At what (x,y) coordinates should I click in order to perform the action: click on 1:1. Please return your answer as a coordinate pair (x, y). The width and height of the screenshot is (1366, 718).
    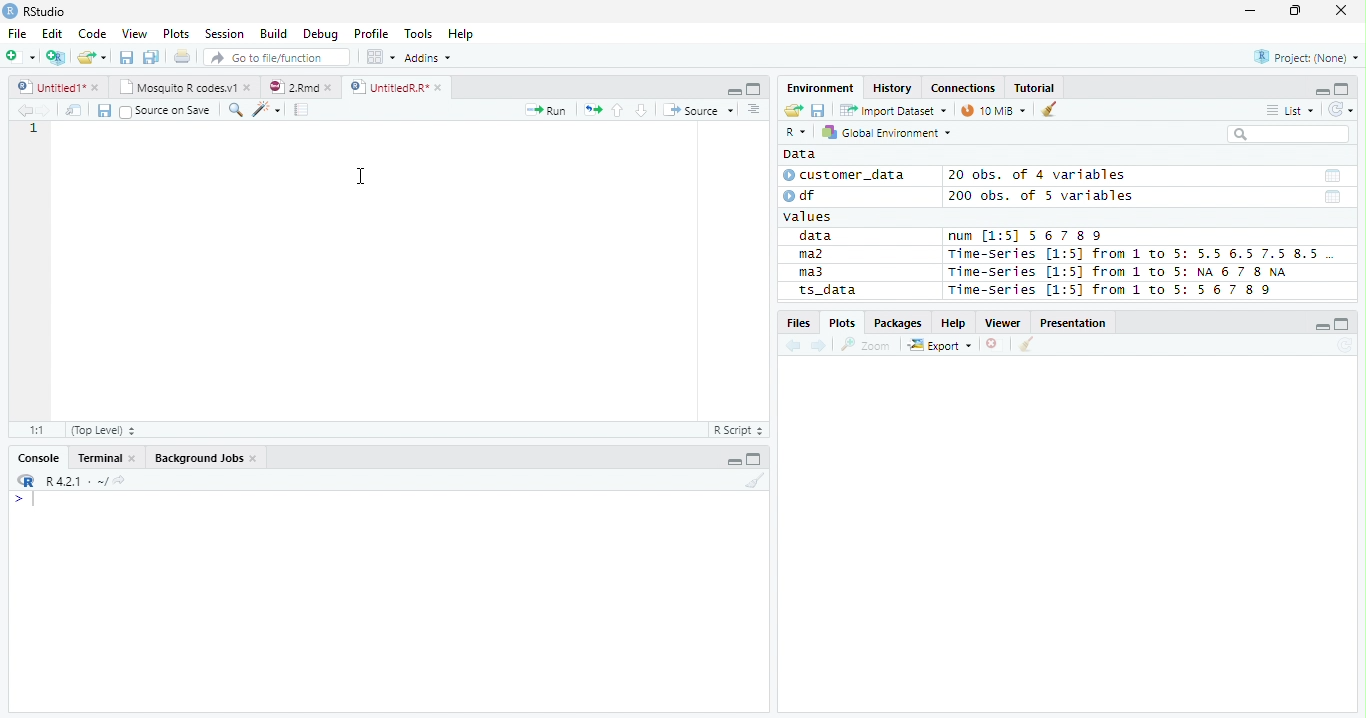
    Looking at the image, I should click on (37, 430).